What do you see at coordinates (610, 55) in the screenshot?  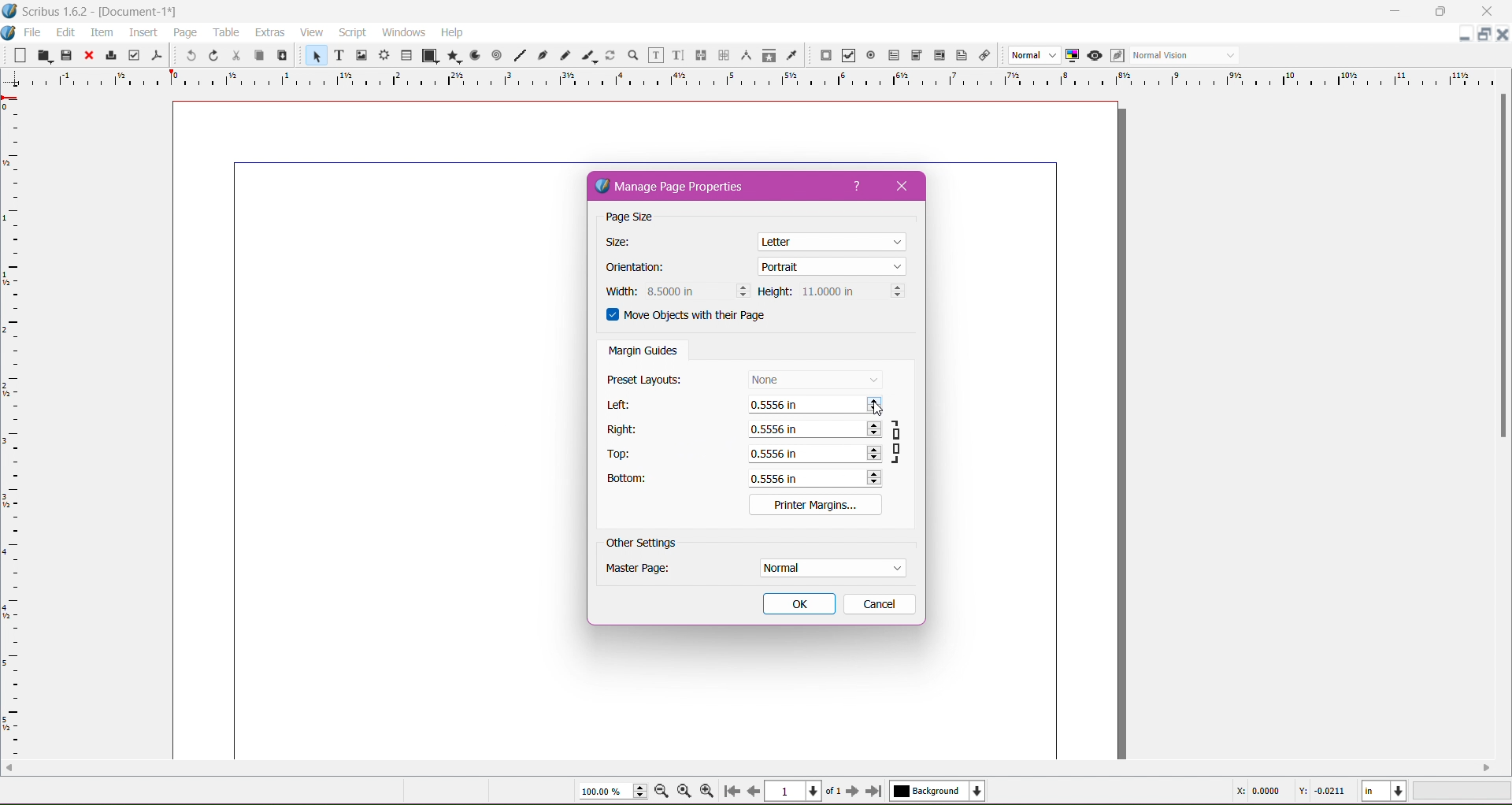 I see `Rotate Item` at bounding box center [610, 55].